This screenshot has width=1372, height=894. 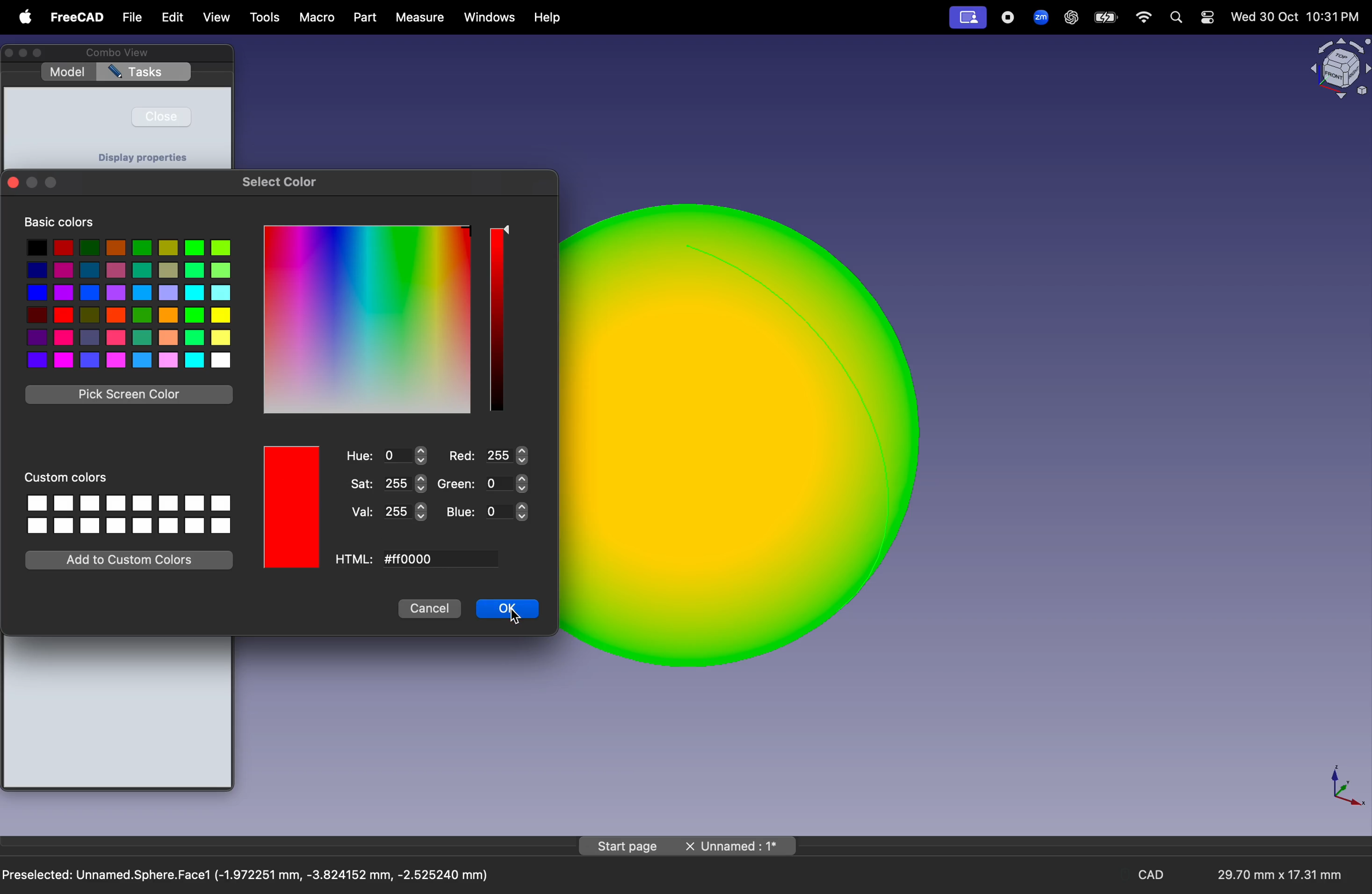 I want to click on axis, so click(x=1344, y=784).